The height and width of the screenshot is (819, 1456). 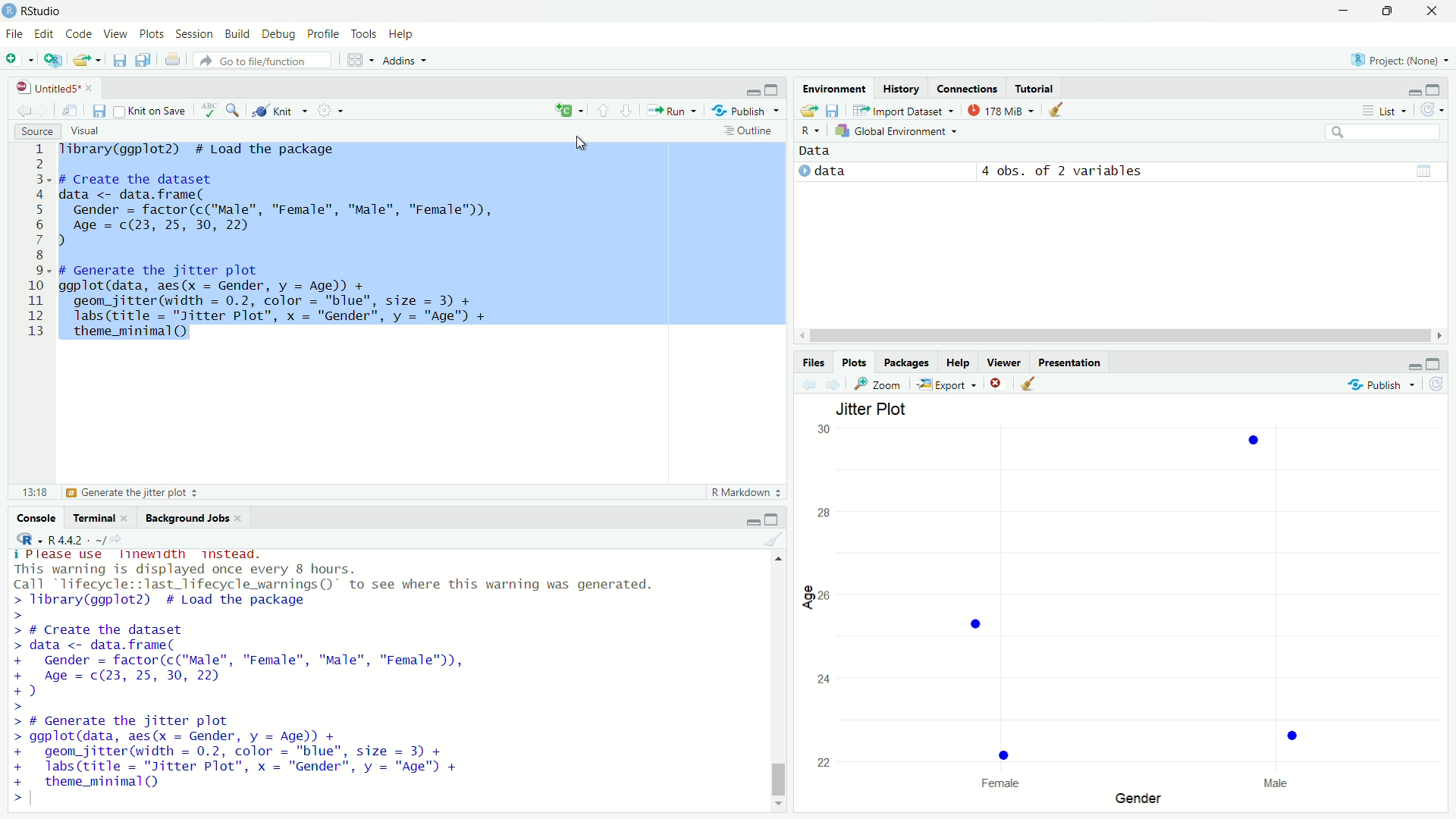 What do you see at coordinates (120, 59) in the screenshot?
I see `save current document` at bounding box center [120, 59].